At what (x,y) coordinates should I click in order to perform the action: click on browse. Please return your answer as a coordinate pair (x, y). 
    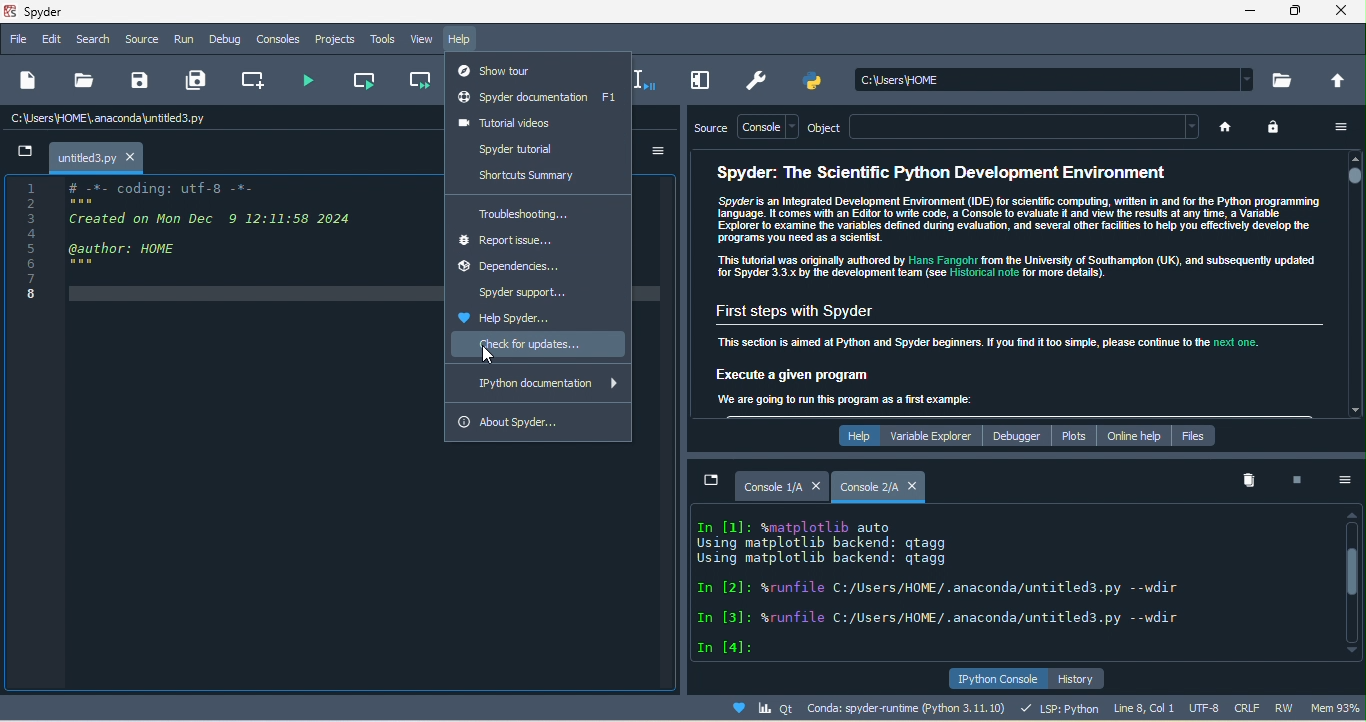
    Looking at the image, I should click on (1285, 79).